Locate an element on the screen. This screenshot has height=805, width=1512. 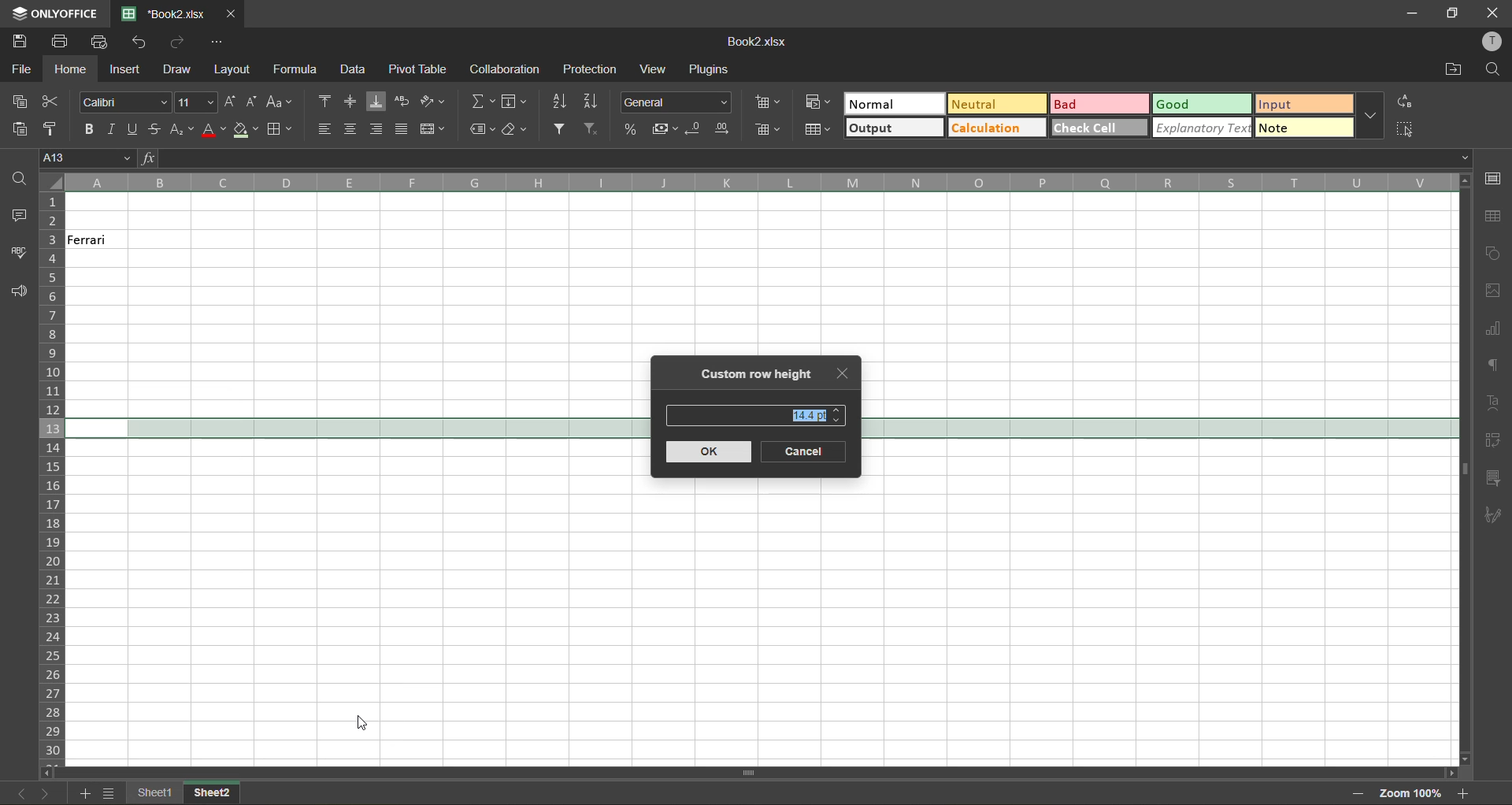
zoom out is located at coordinates (1352, 792).